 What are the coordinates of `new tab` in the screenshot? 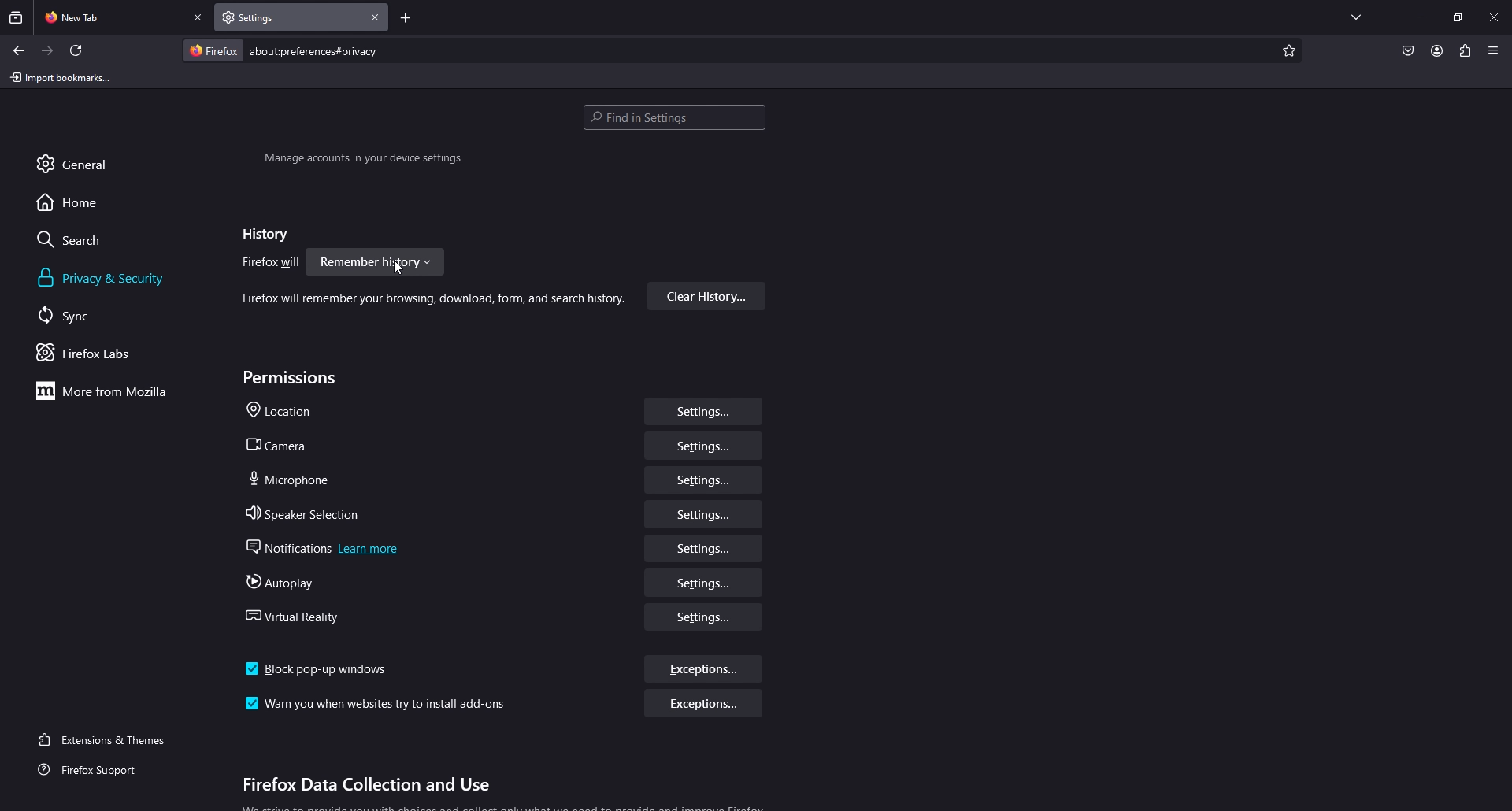 It's located at (111, 16).